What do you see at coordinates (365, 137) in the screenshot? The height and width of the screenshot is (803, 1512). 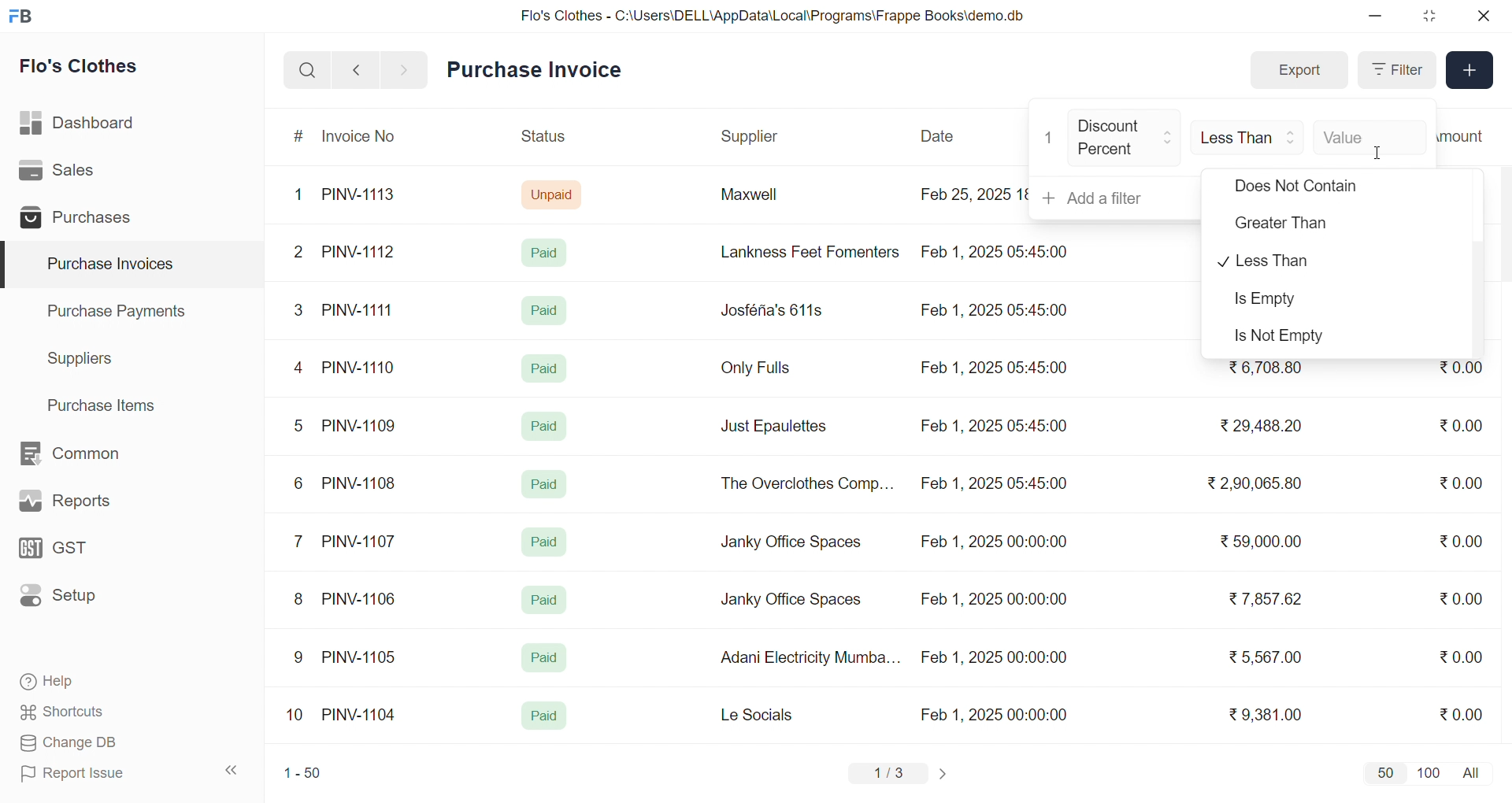 I see `Invoice No` at bounding box center [365, 137].